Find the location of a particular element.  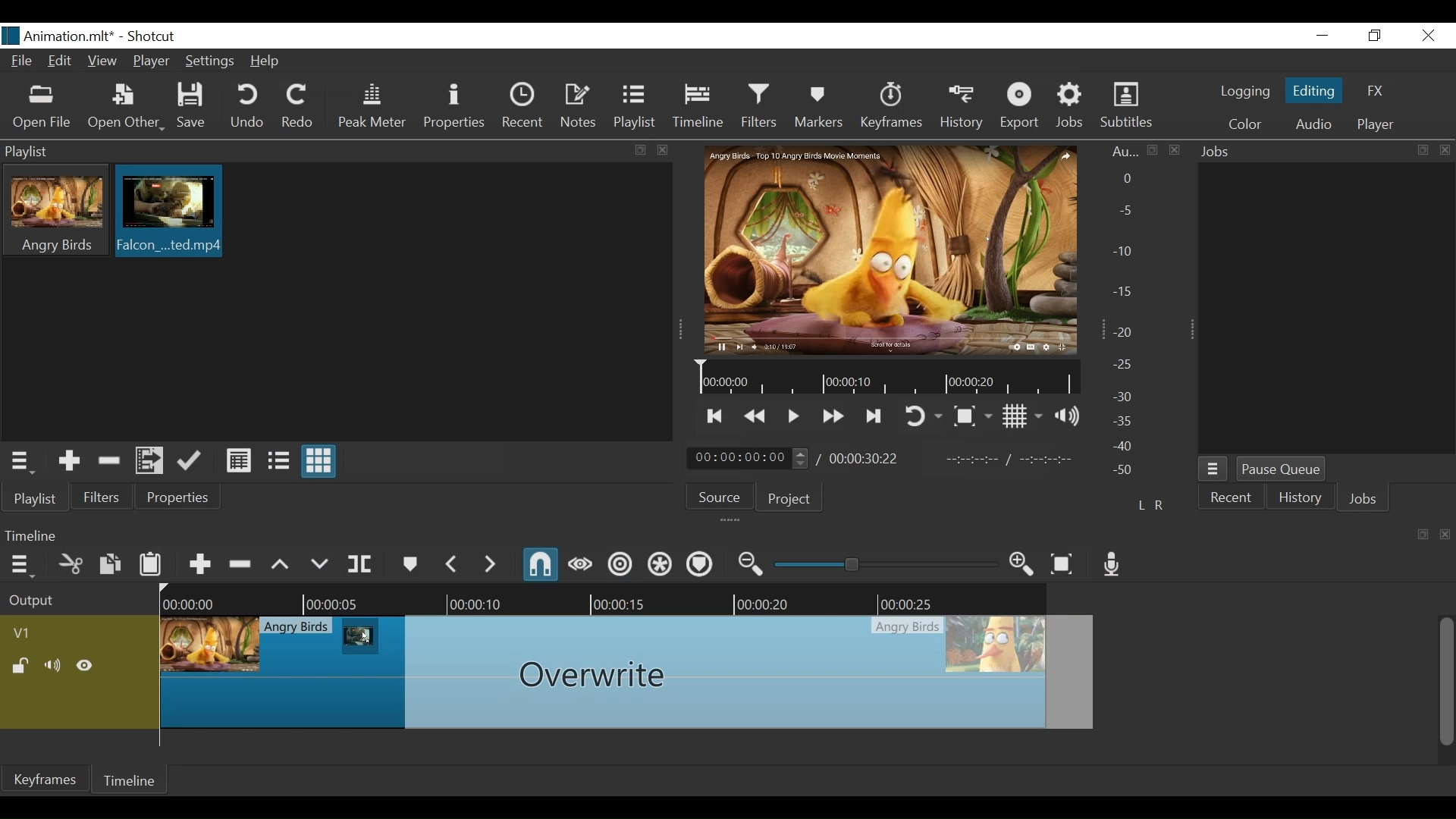

Player is located at coordinates (149, 60).